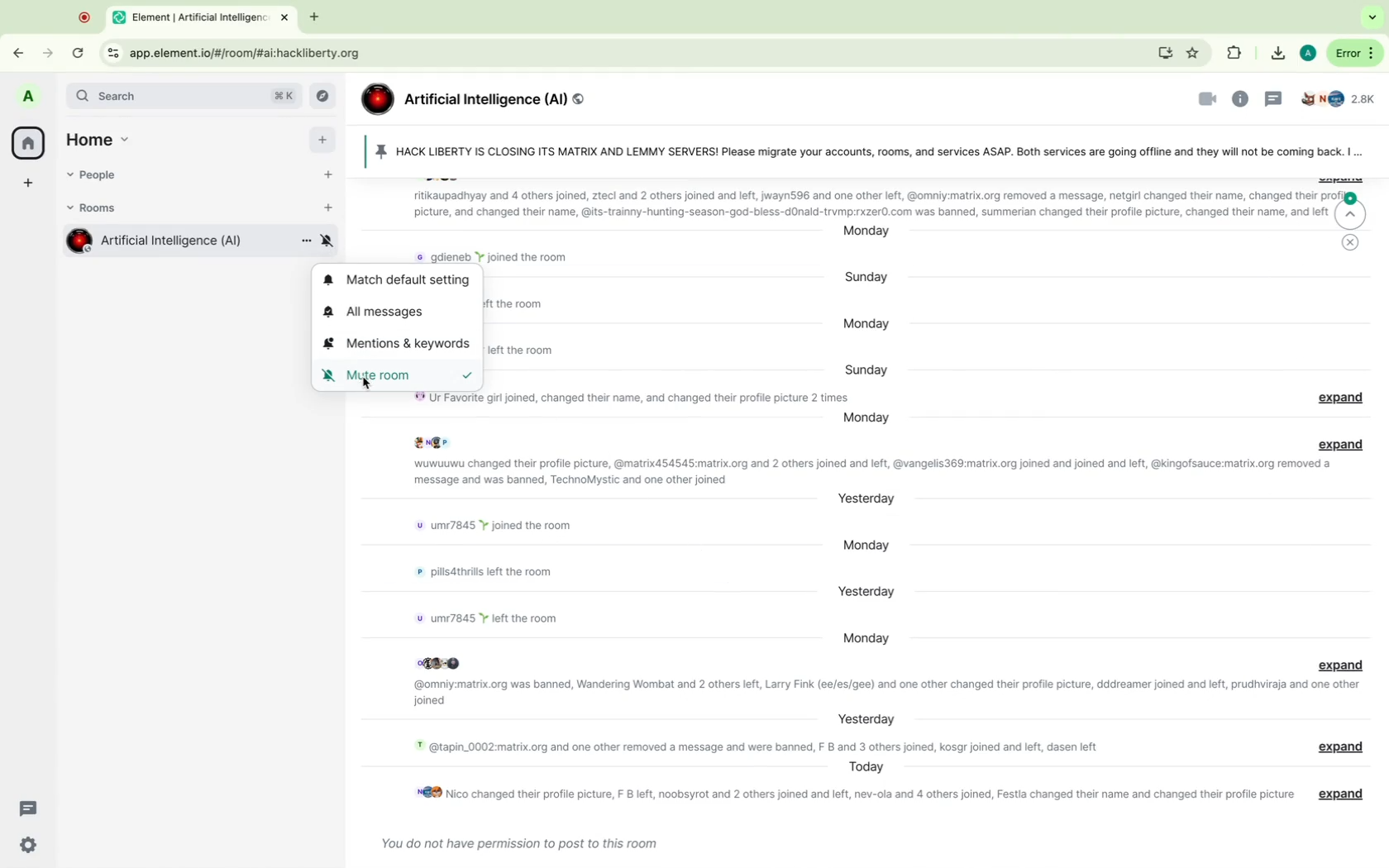 The image size is (1389, 868). I want to click on more, so click(1361, 155).